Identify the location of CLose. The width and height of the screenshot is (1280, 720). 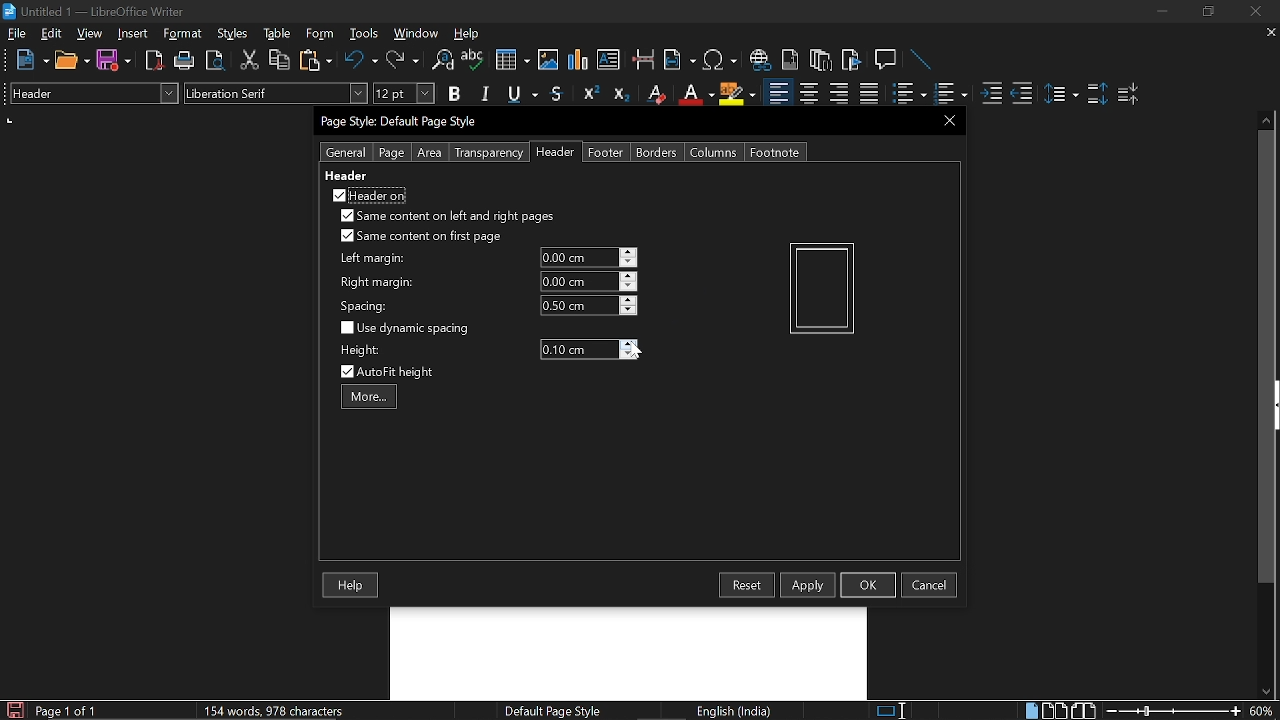
(947, 120).